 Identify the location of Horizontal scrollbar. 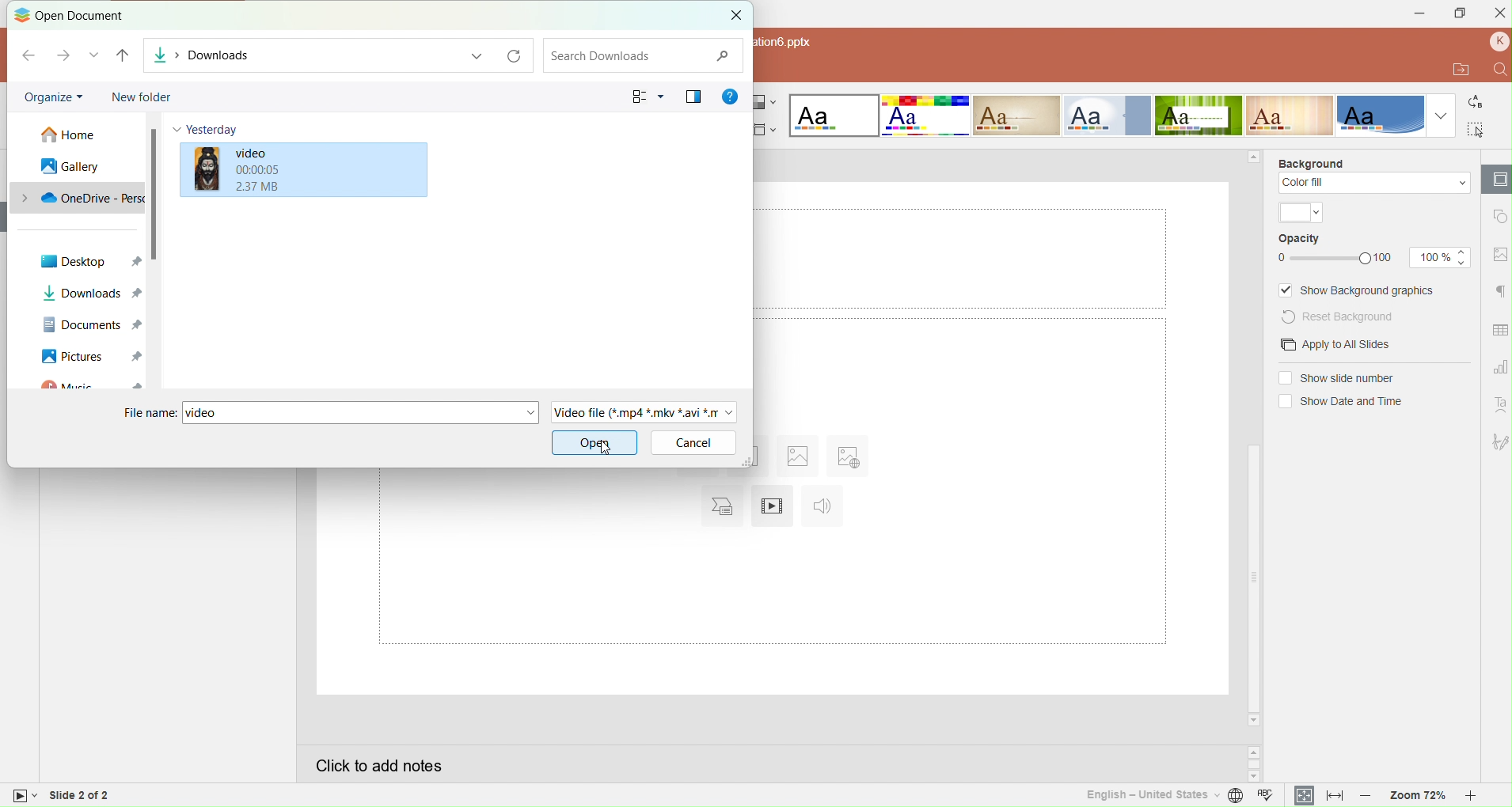
(1252, 438).